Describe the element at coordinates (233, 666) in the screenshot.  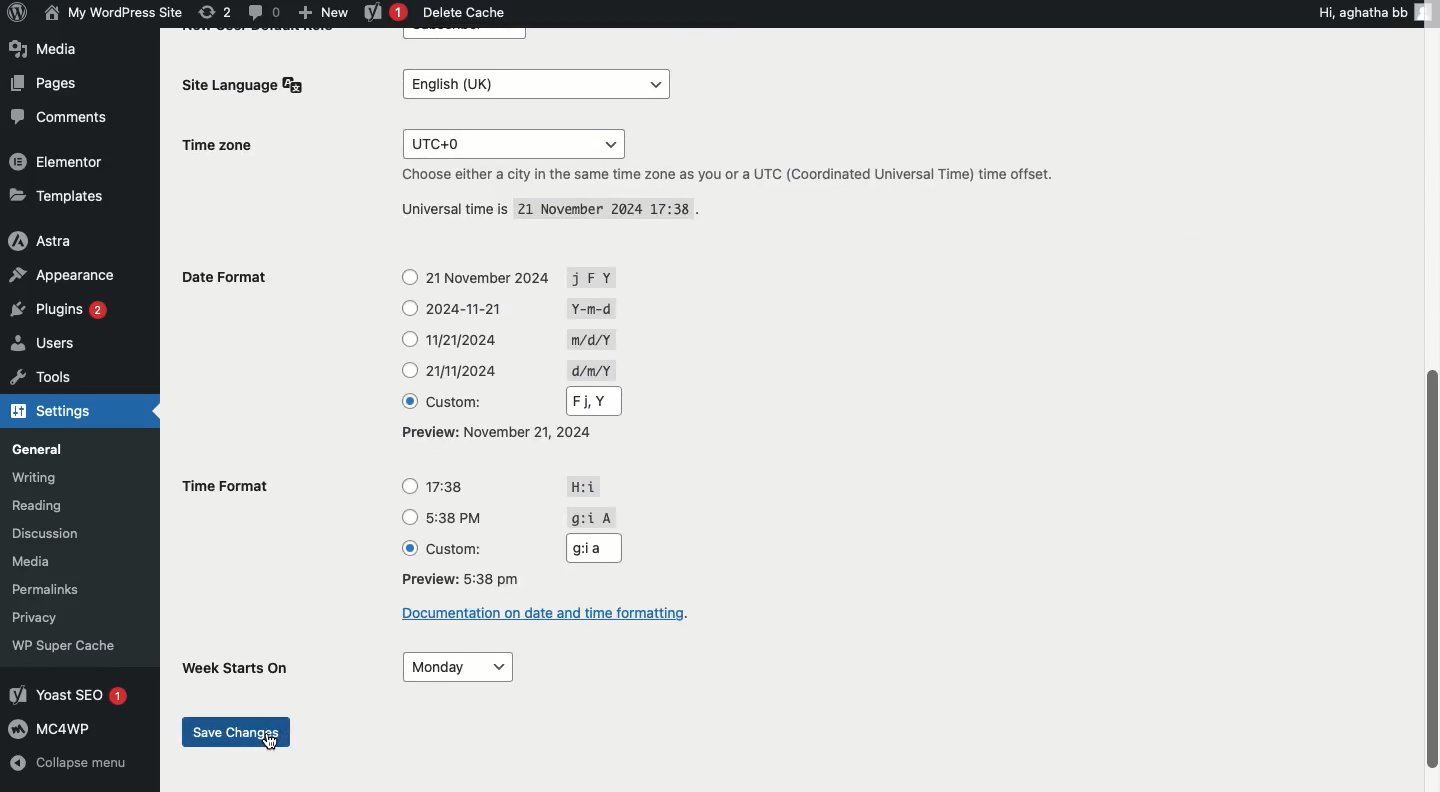
I see `Week start on` at that location.